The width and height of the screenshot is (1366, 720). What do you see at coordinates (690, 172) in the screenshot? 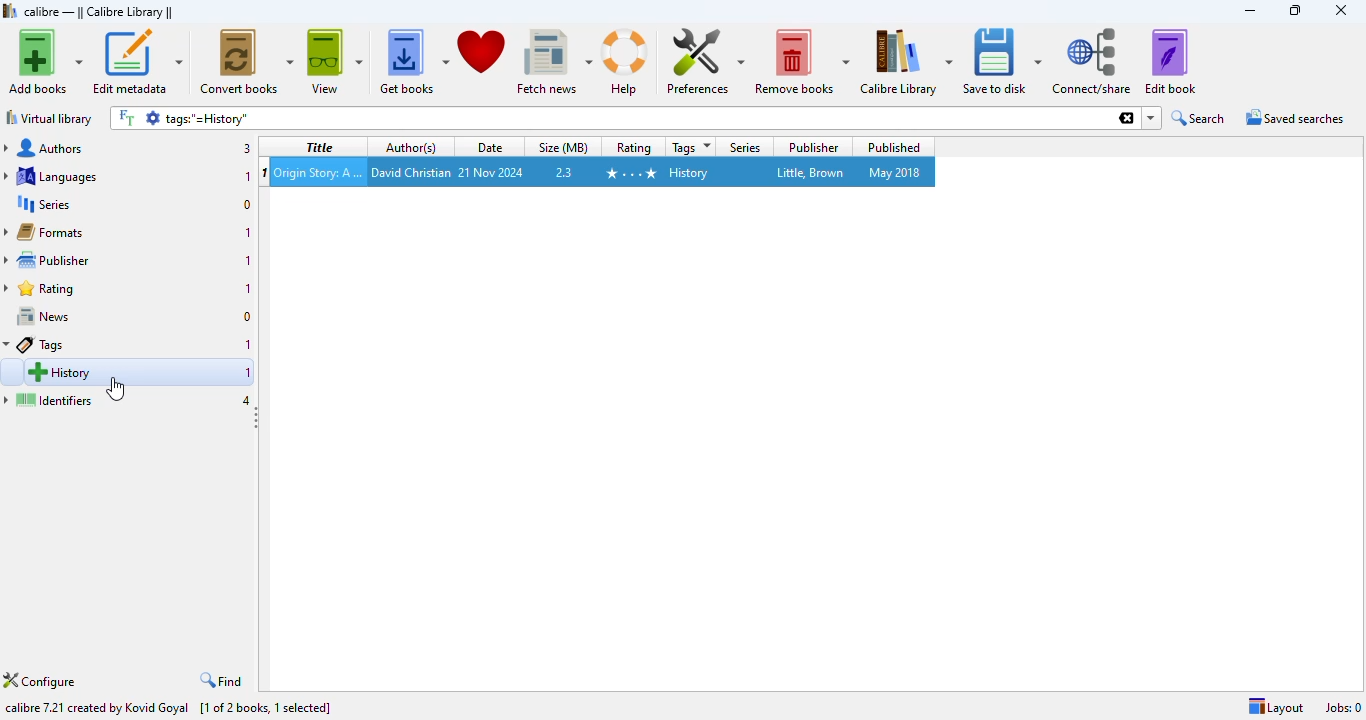
I see `history ` at bounding box center [690, 172].